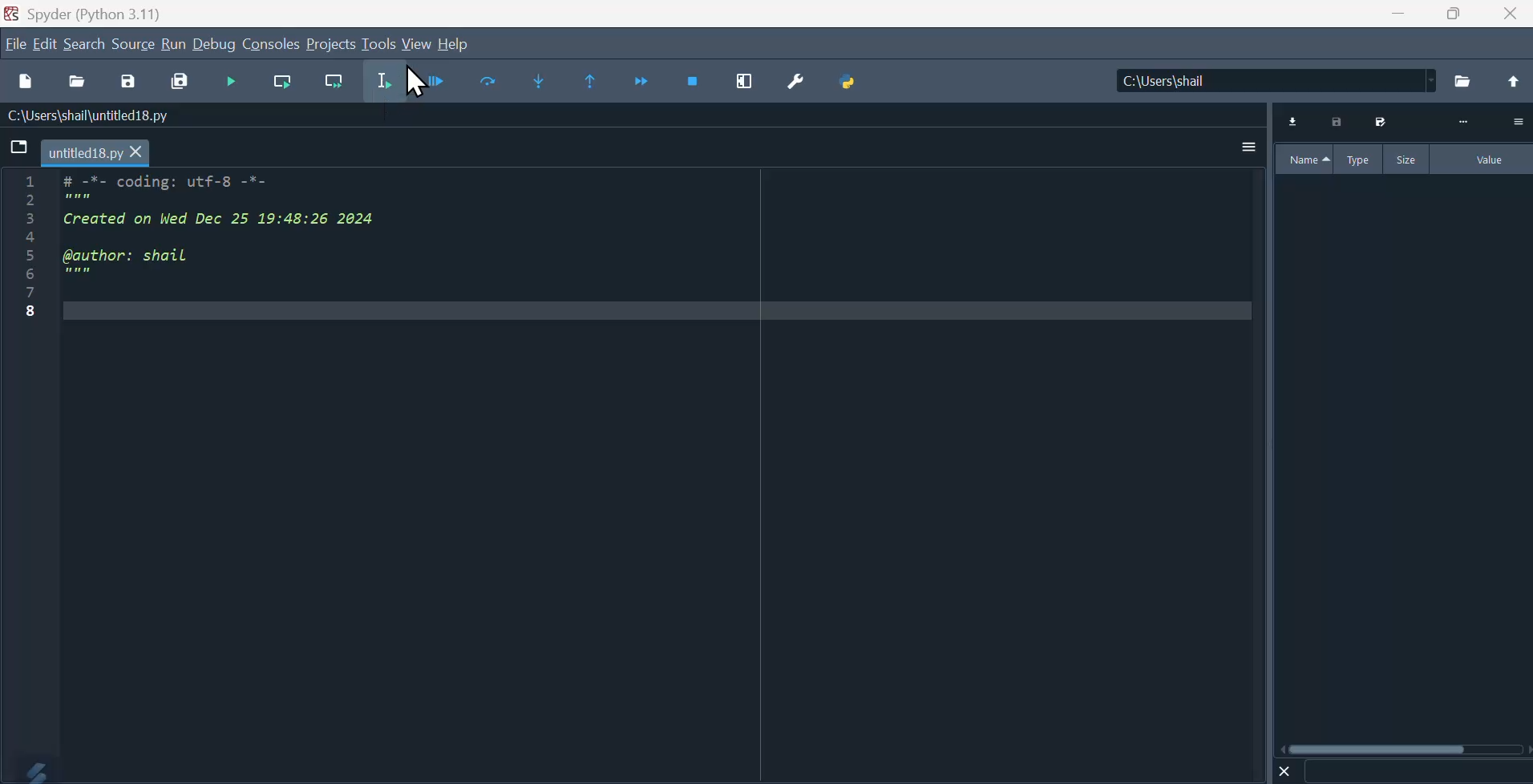 The height and width of the screenshot is (784, 1533). Describe the element at coordinates (847, 83) in the screenshot. I see `Python path manager` at that location.